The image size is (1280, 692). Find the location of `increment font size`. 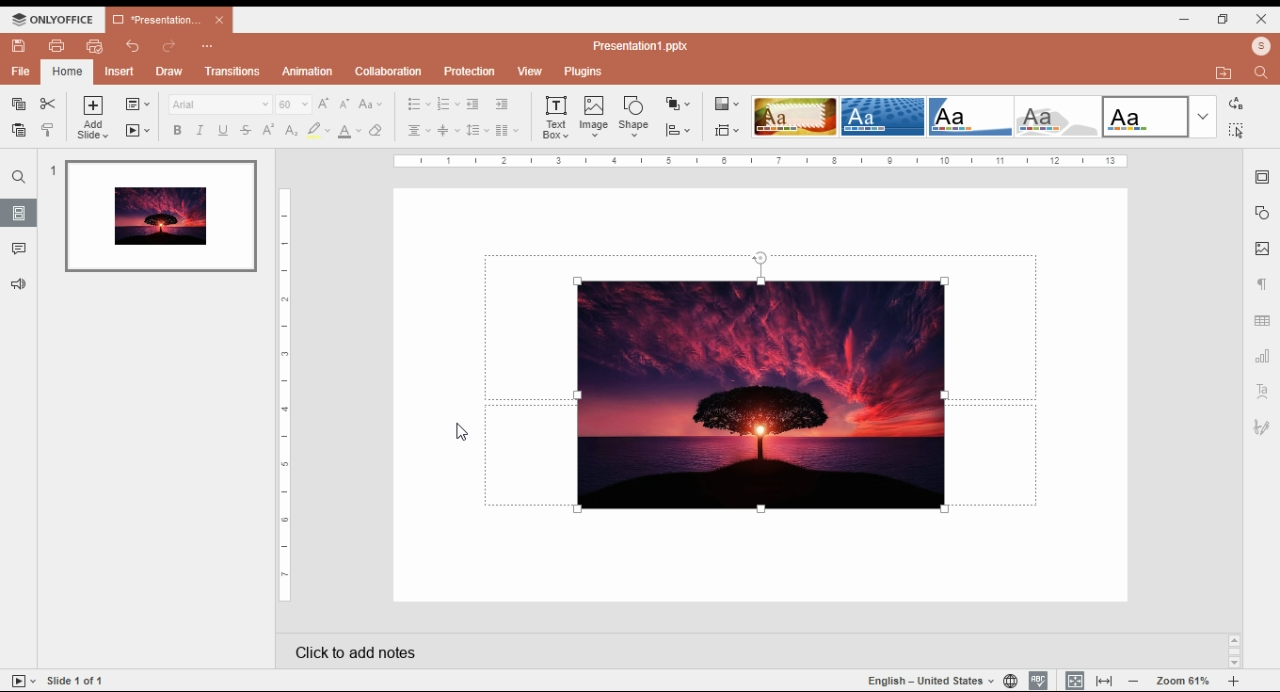

increment font size is located at coordinates (324, 104).